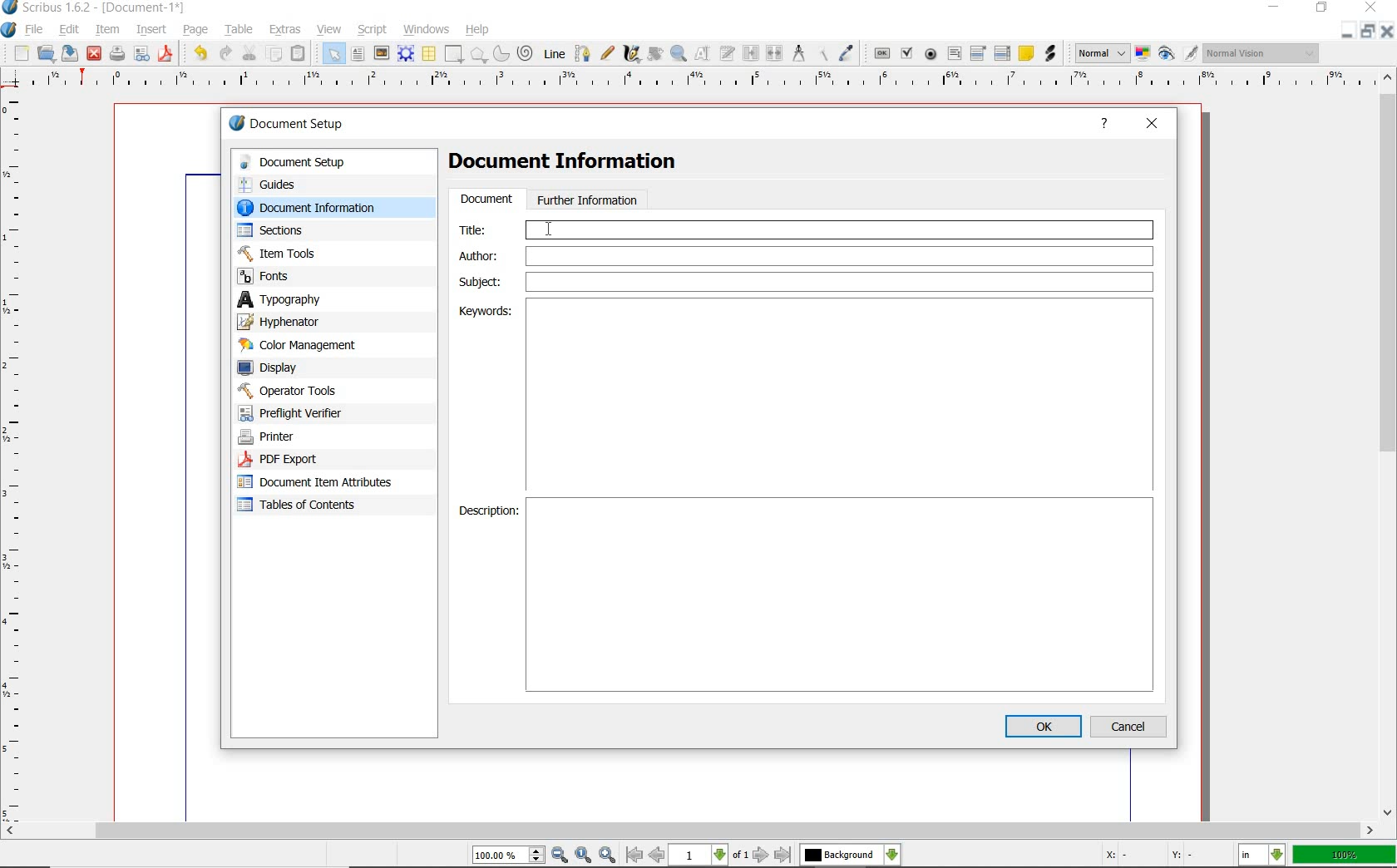 Image resolution: width=1397 pixels, height=868 pixels. I want to click on spiral, so click(527, 52).